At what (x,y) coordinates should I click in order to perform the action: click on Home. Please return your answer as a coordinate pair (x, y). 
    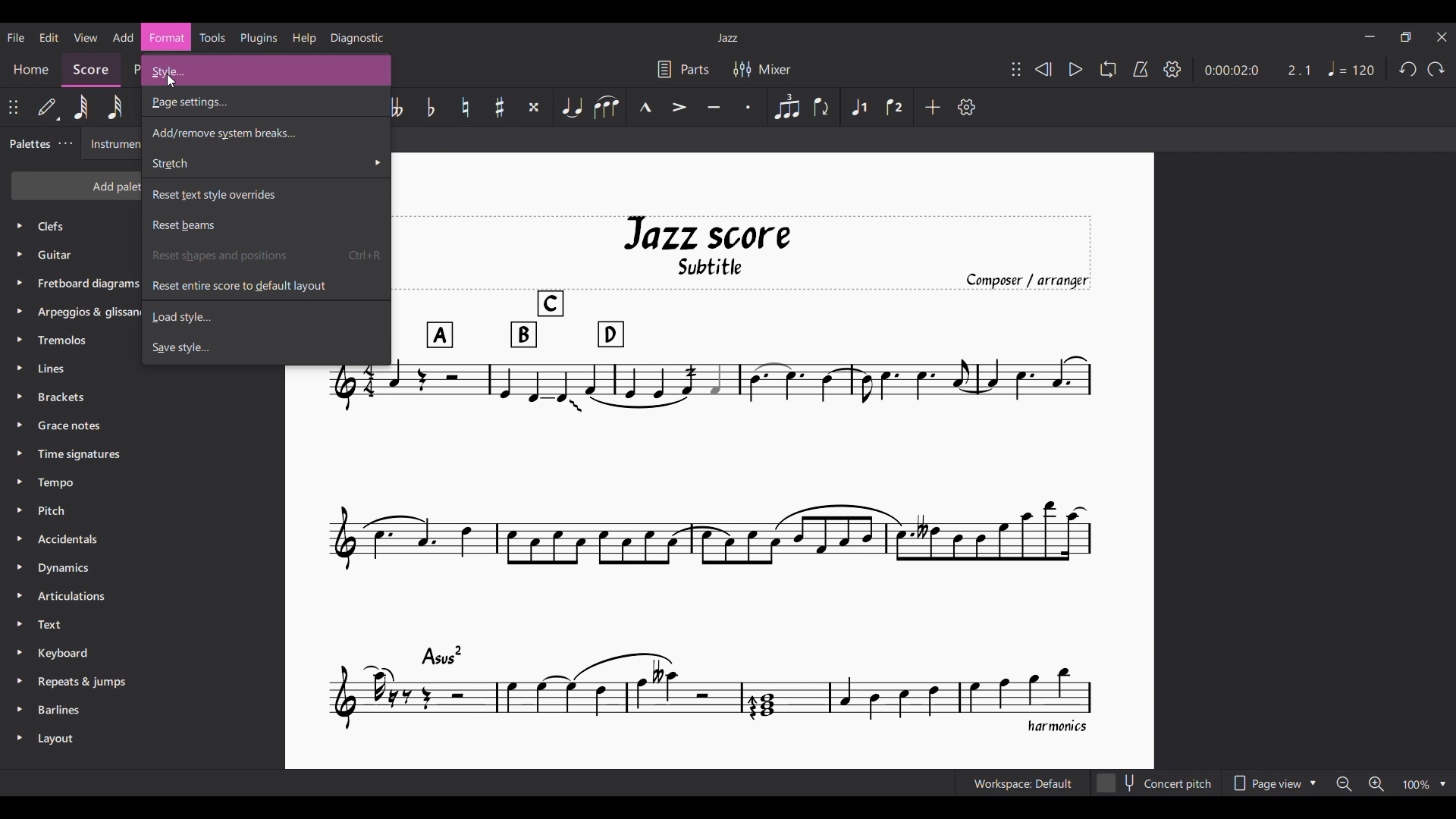
    Looking at the image, I should click on (31, 69).